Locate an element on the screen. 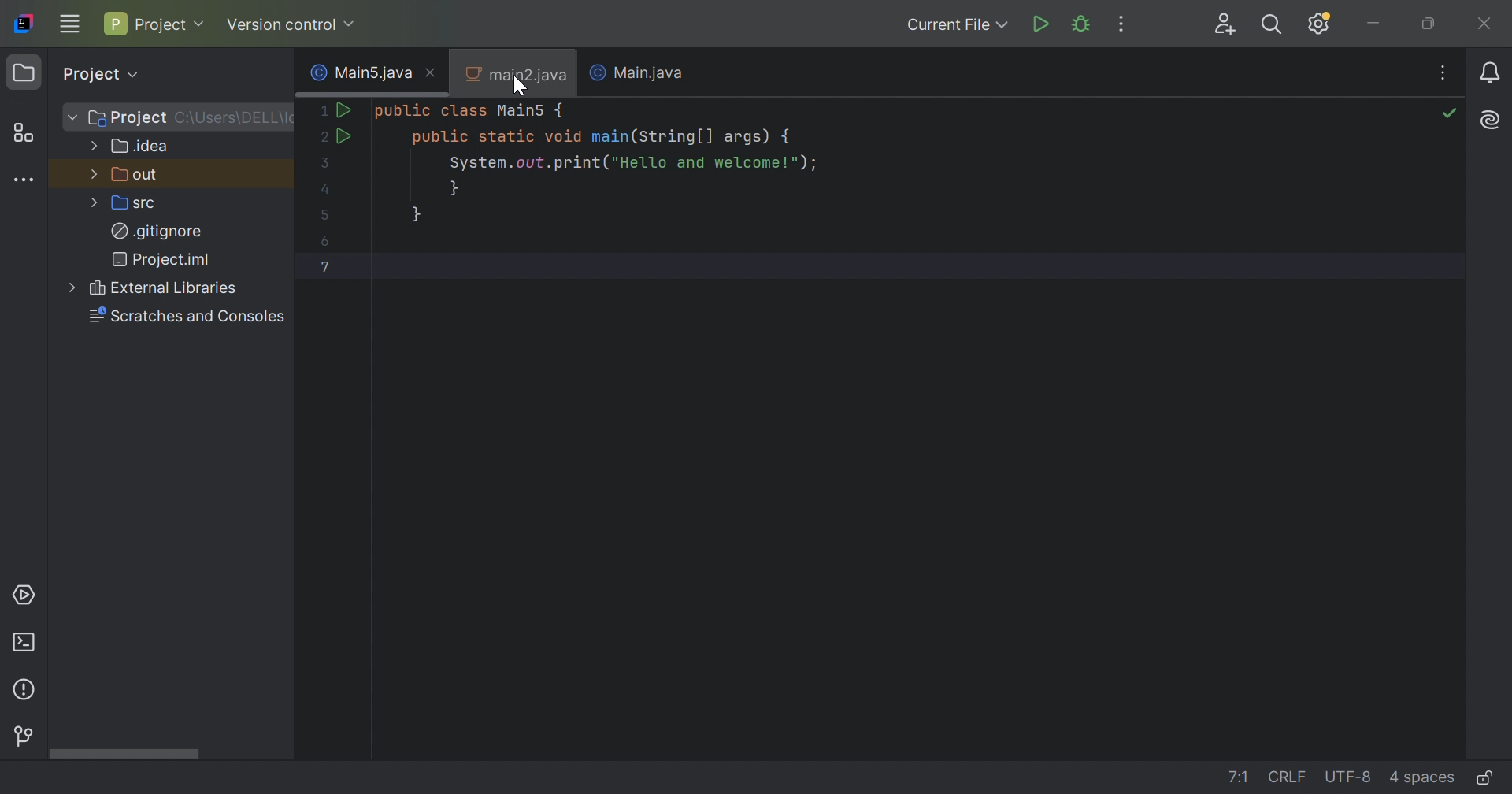  UTF-8 is located at coordinates (1347, 777).